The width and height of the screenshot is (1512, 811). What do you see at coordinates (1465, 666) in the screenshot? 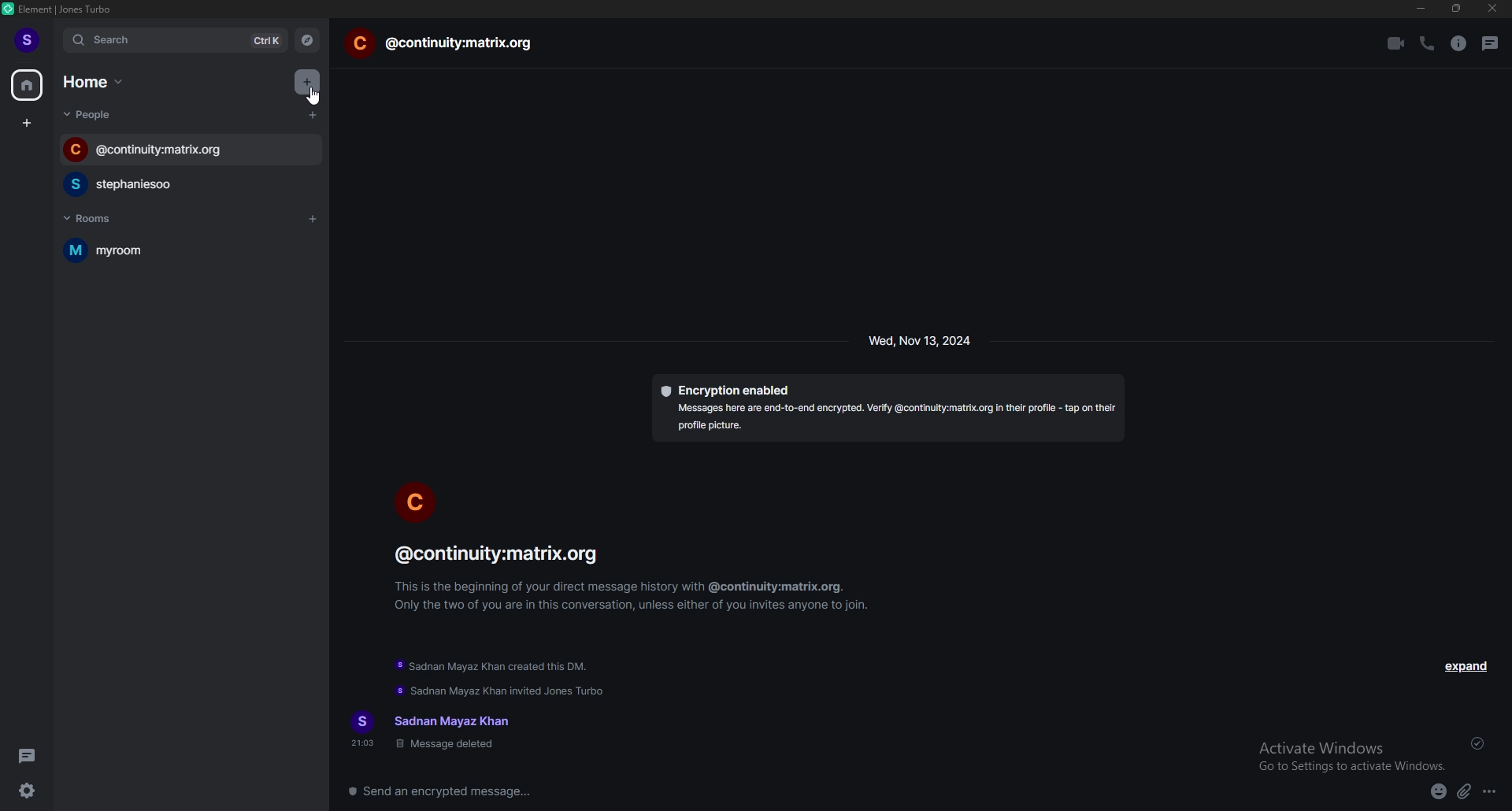
I see `expand` at bounding box center [1465, 666].